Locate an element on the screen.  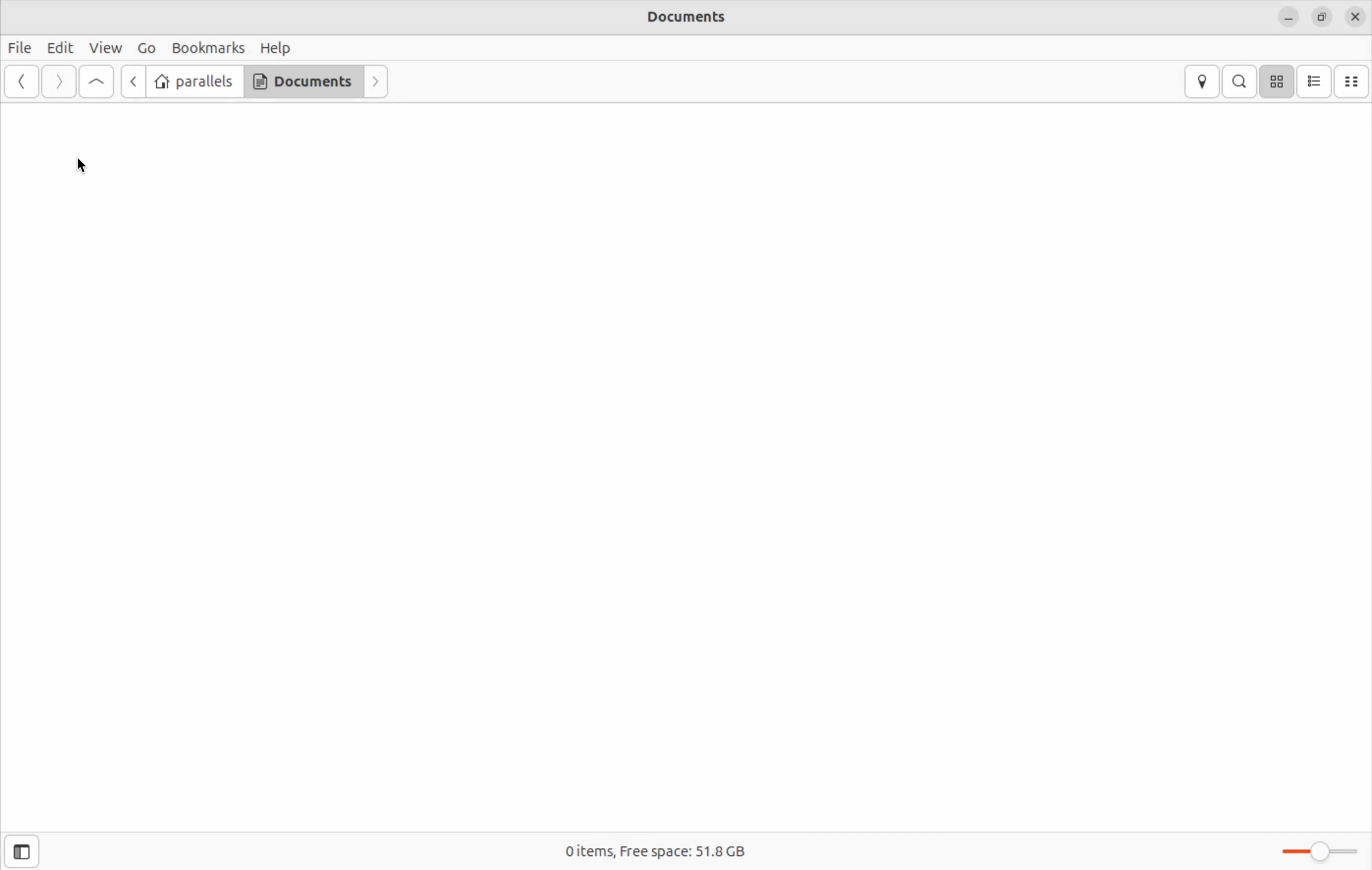
list view is located at coordinates (1317, 81).